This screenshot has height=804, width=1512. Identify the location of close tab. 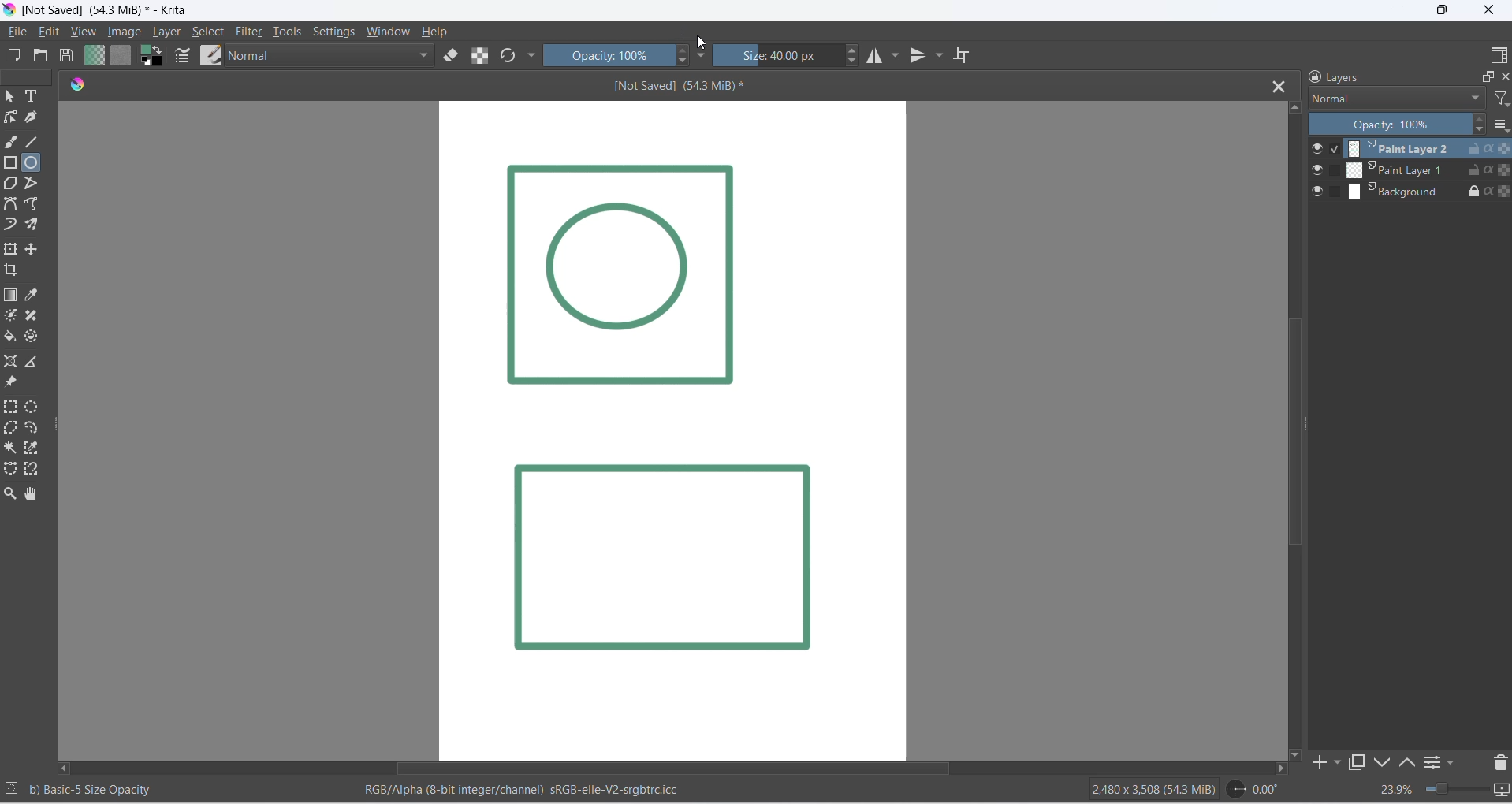
(1276, 84).